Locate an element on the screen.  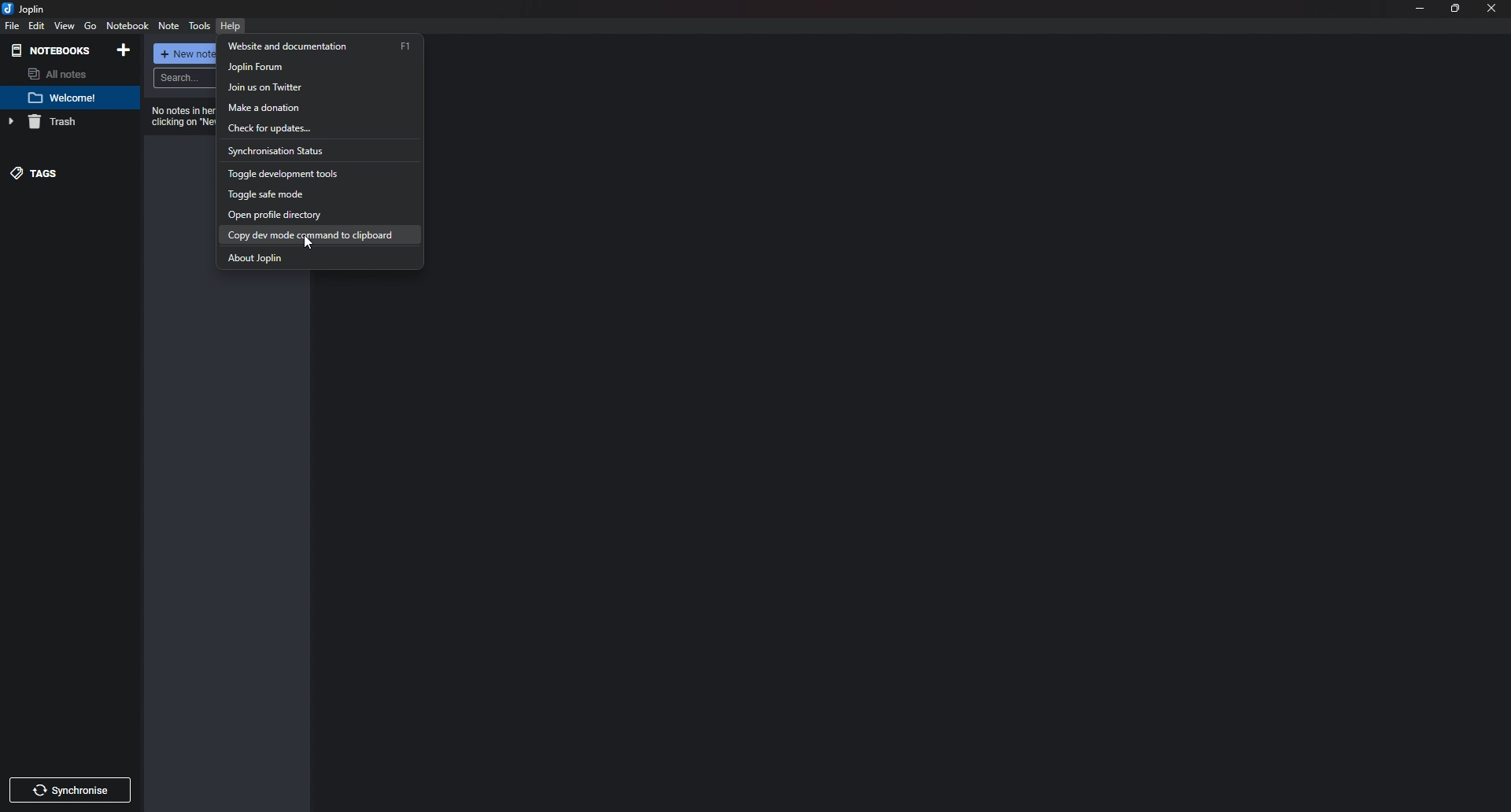
Make a donation is located at coordinates (302, 108).